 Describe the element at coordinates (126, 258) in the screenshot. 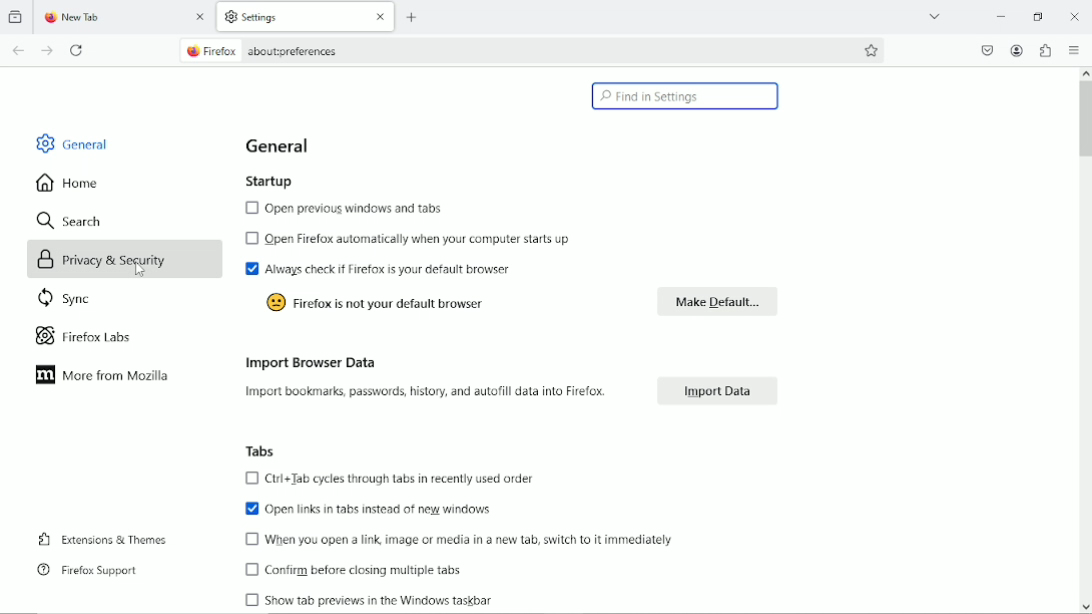

I see `privacy & security` at that location.